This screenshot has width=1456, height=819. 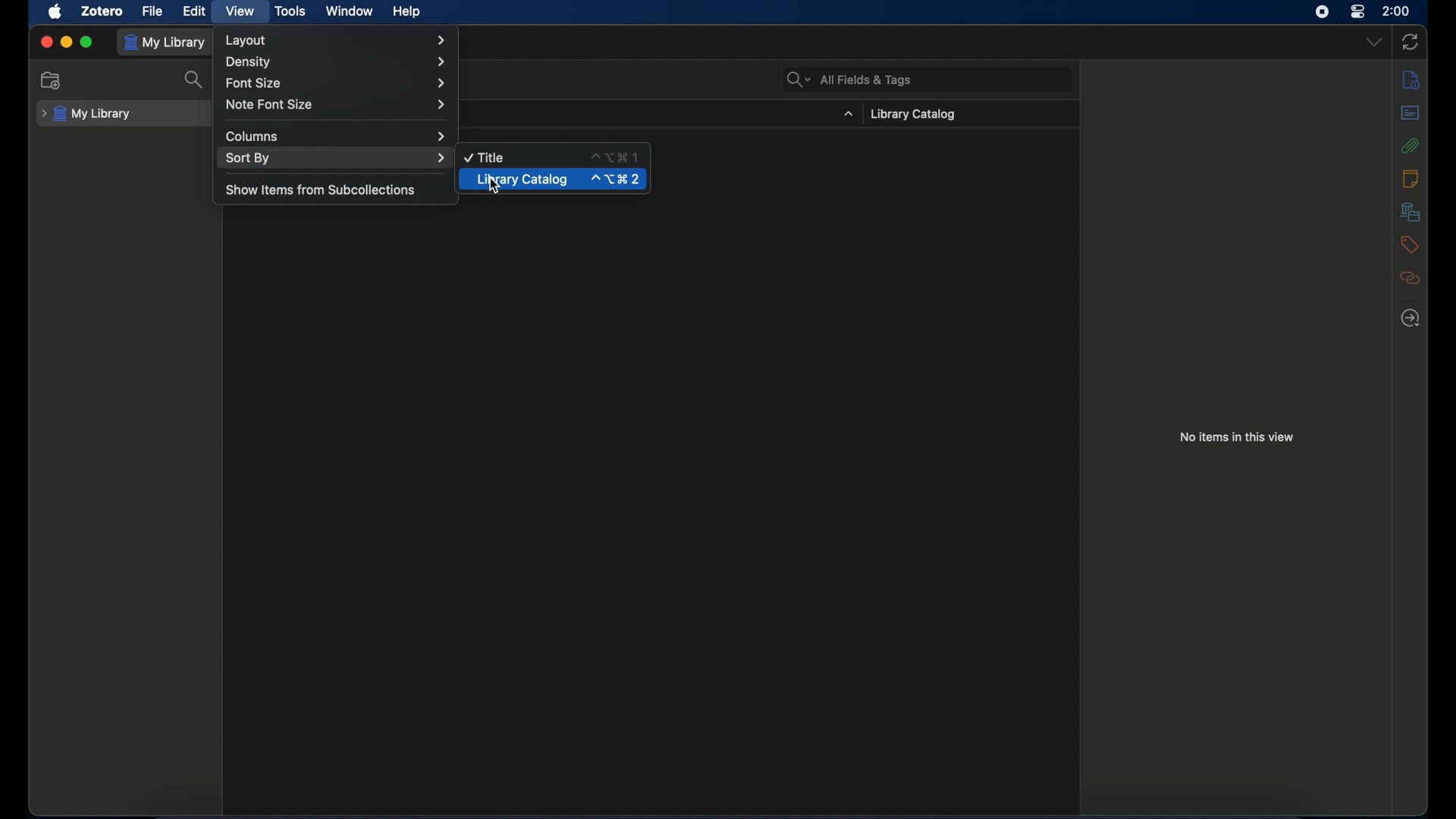 I want to click on help, so click(x=408, y=12).